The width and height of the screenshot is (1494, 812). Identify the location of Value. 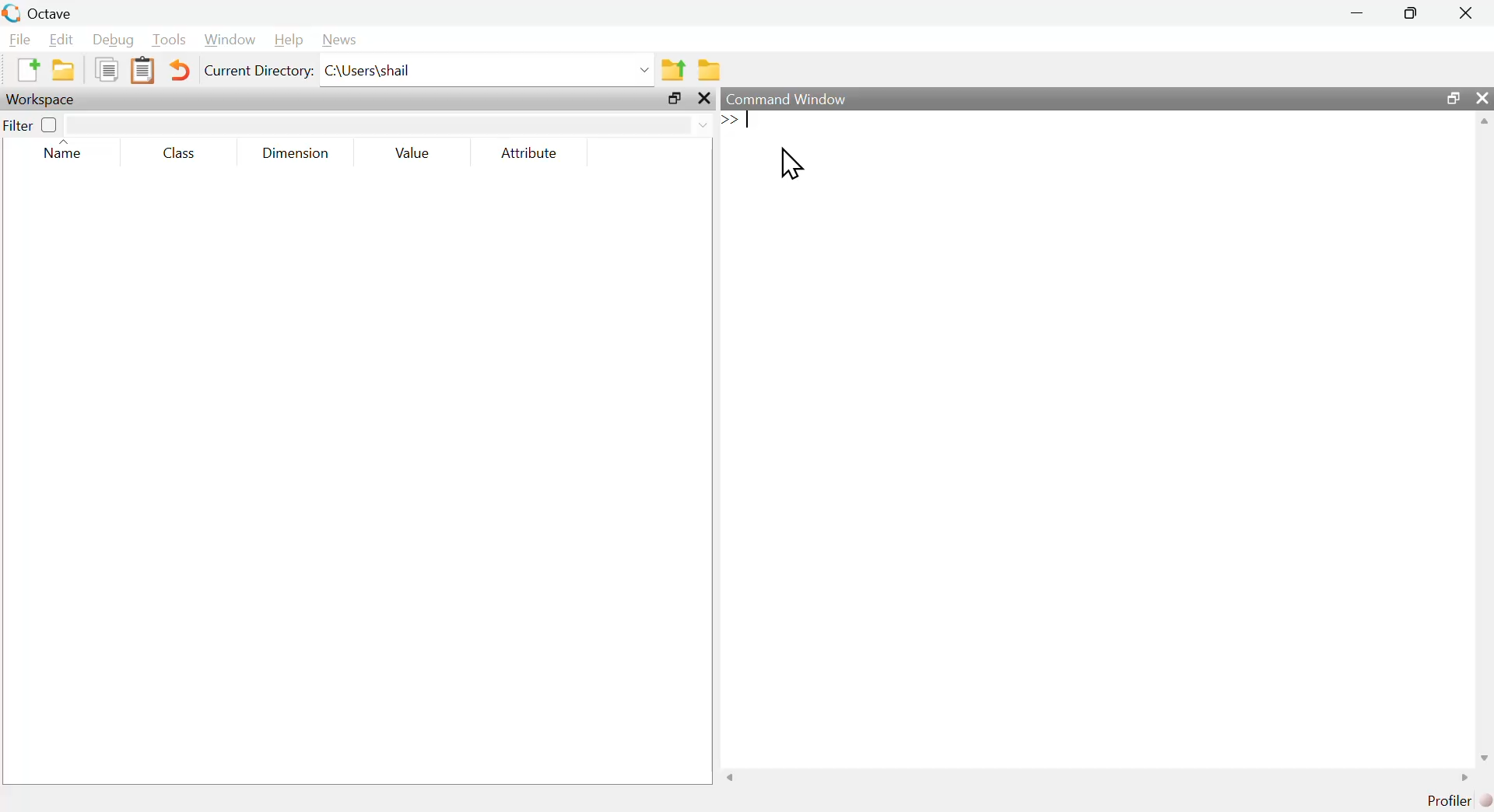
(417, 152).